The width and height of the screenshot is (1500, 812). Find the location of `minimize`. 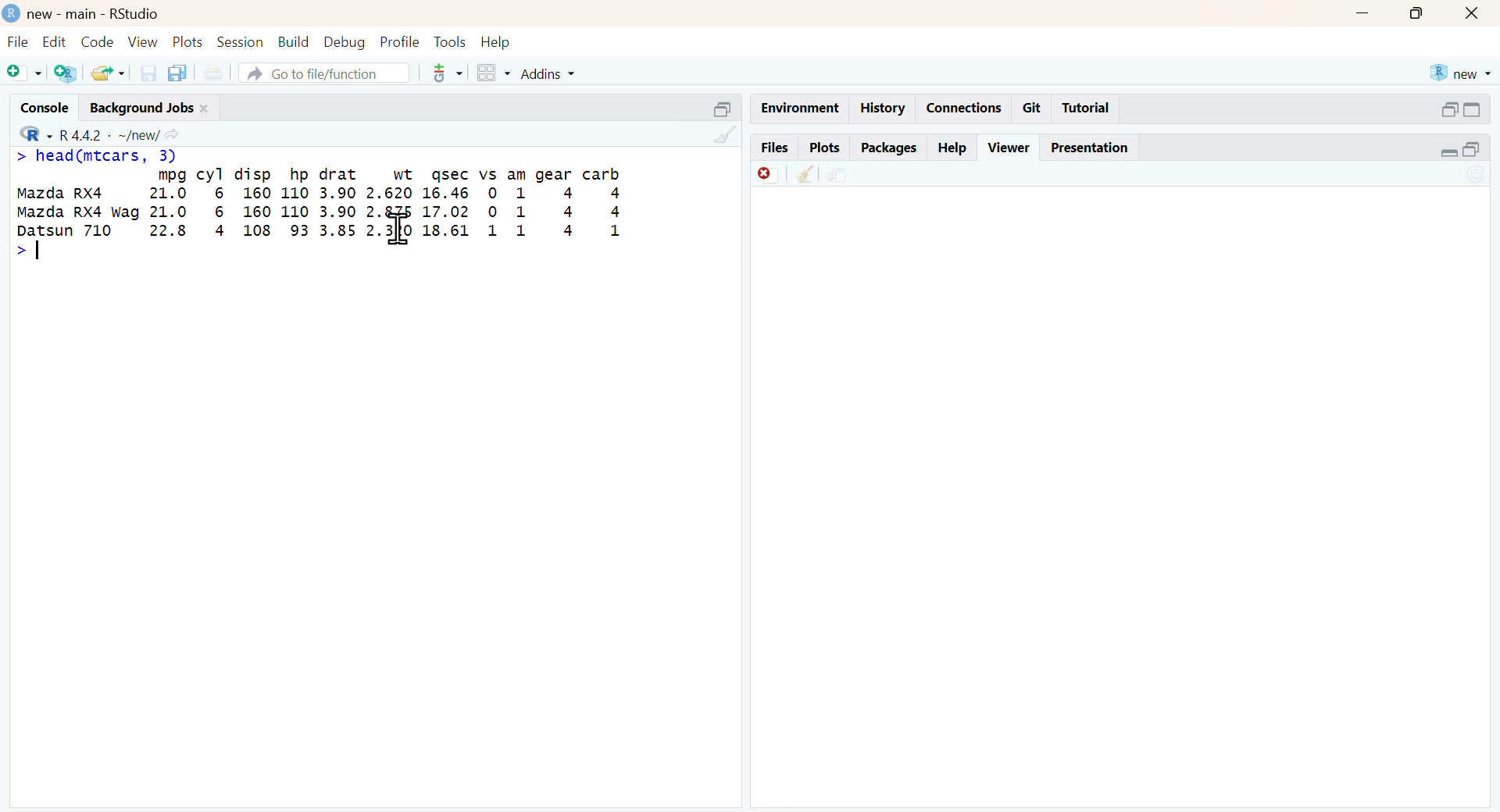

minimize is located at coordinates (1365, 13).